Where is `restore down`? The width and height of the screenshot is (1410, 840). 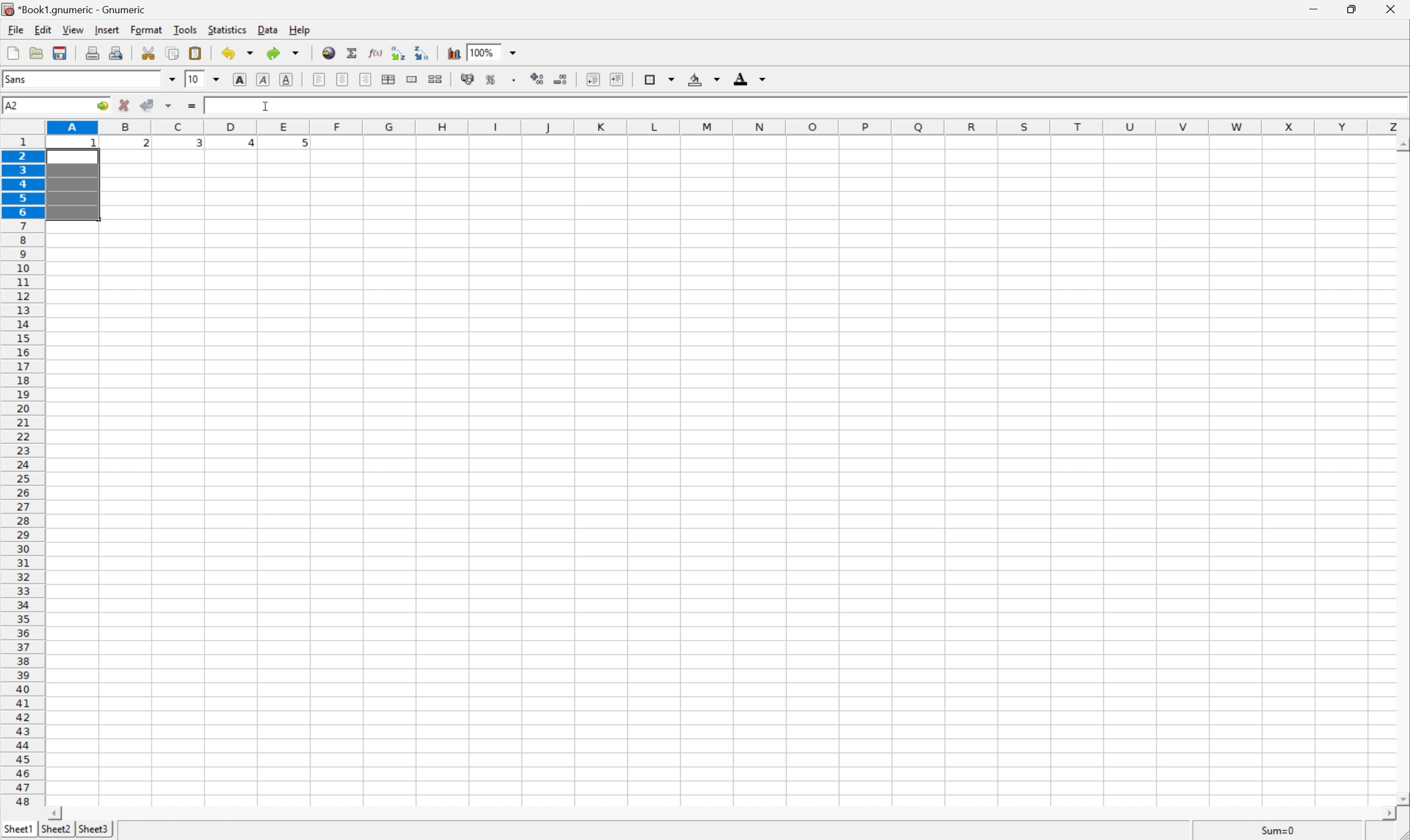 restore down is located at coordinates (1355, 8).